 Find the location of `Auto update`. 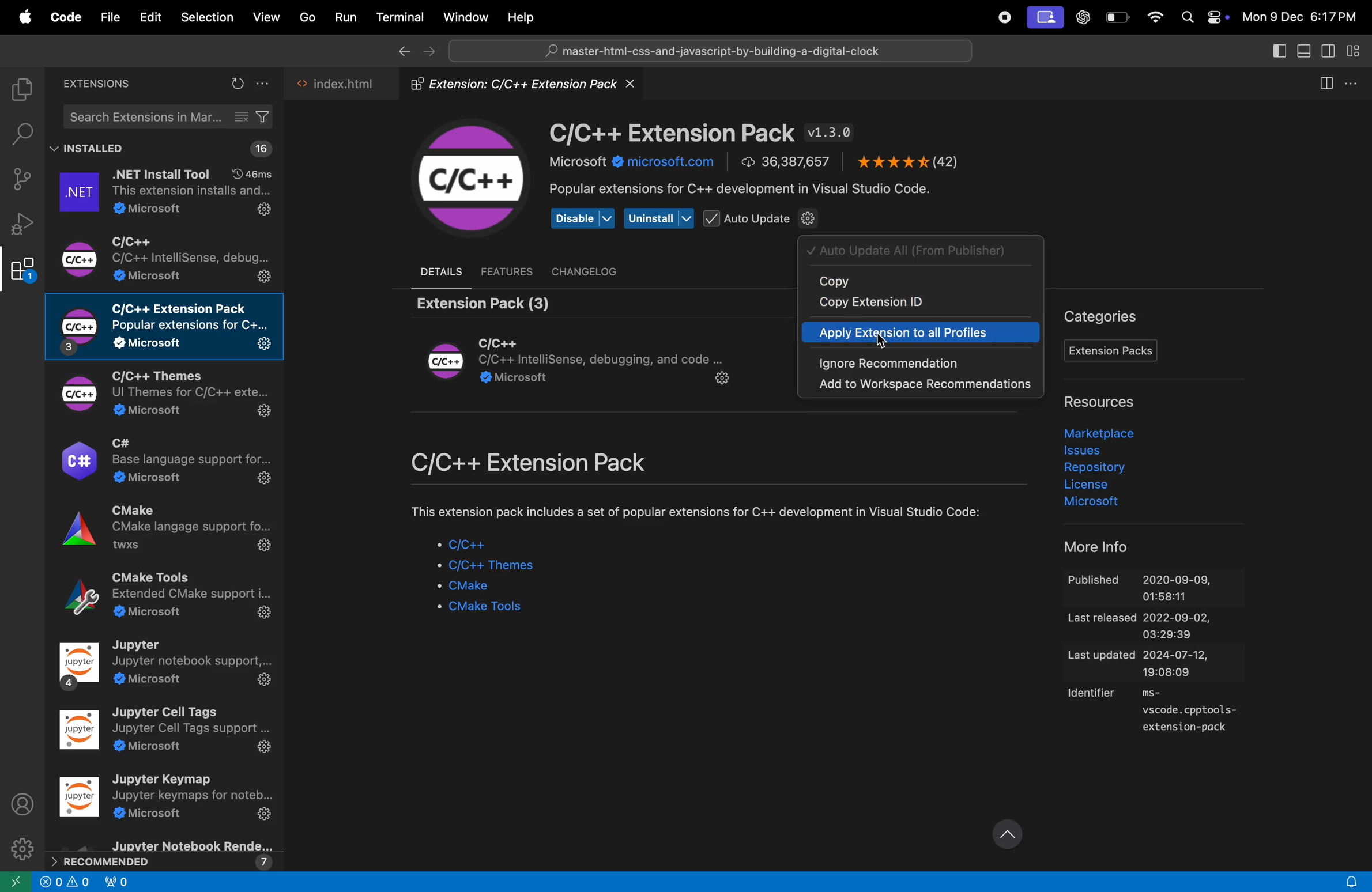

Auto update is located at coordinates (767, 219).